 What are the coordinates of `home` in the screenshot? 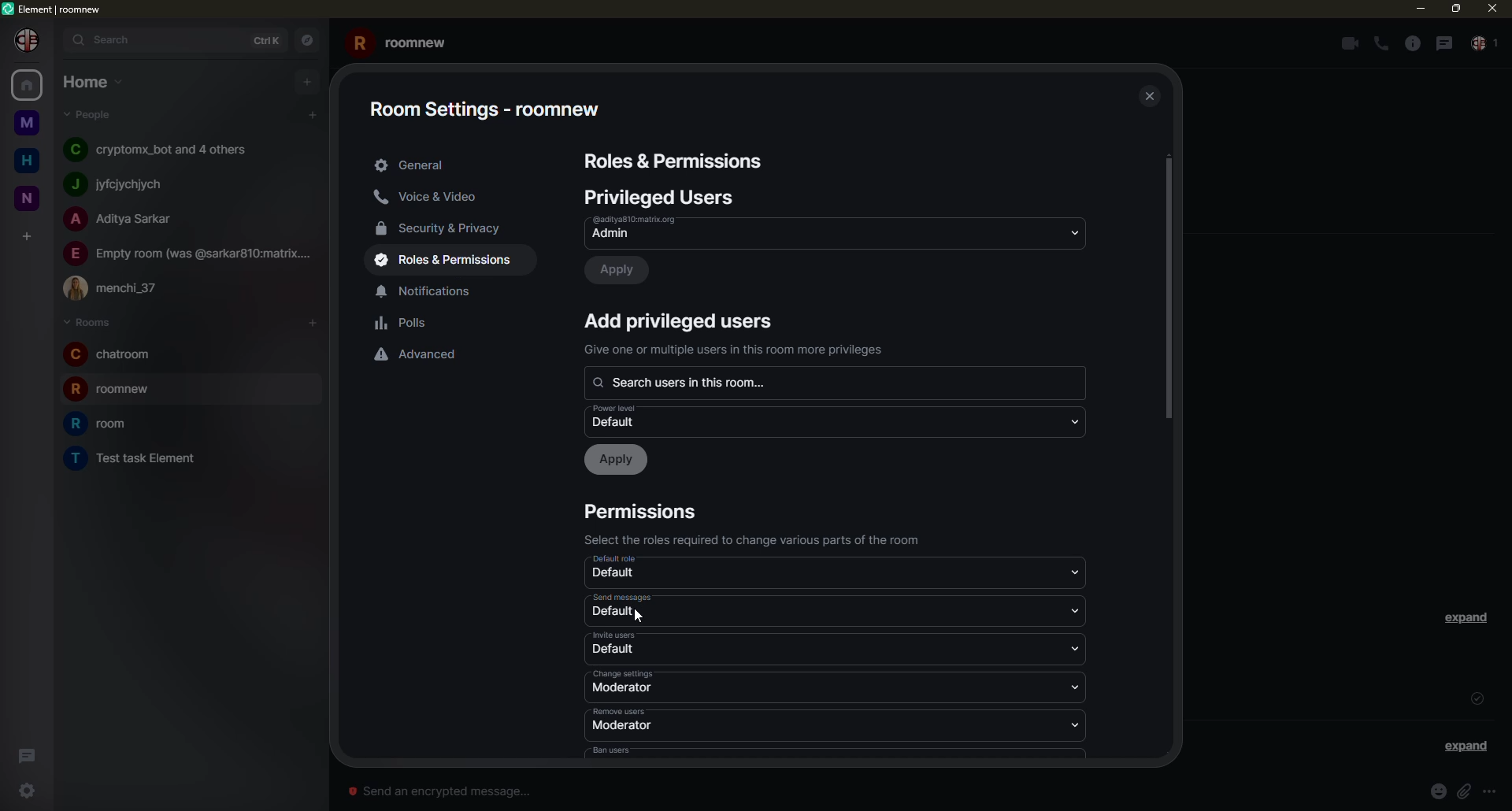 It's located at (93, 82).